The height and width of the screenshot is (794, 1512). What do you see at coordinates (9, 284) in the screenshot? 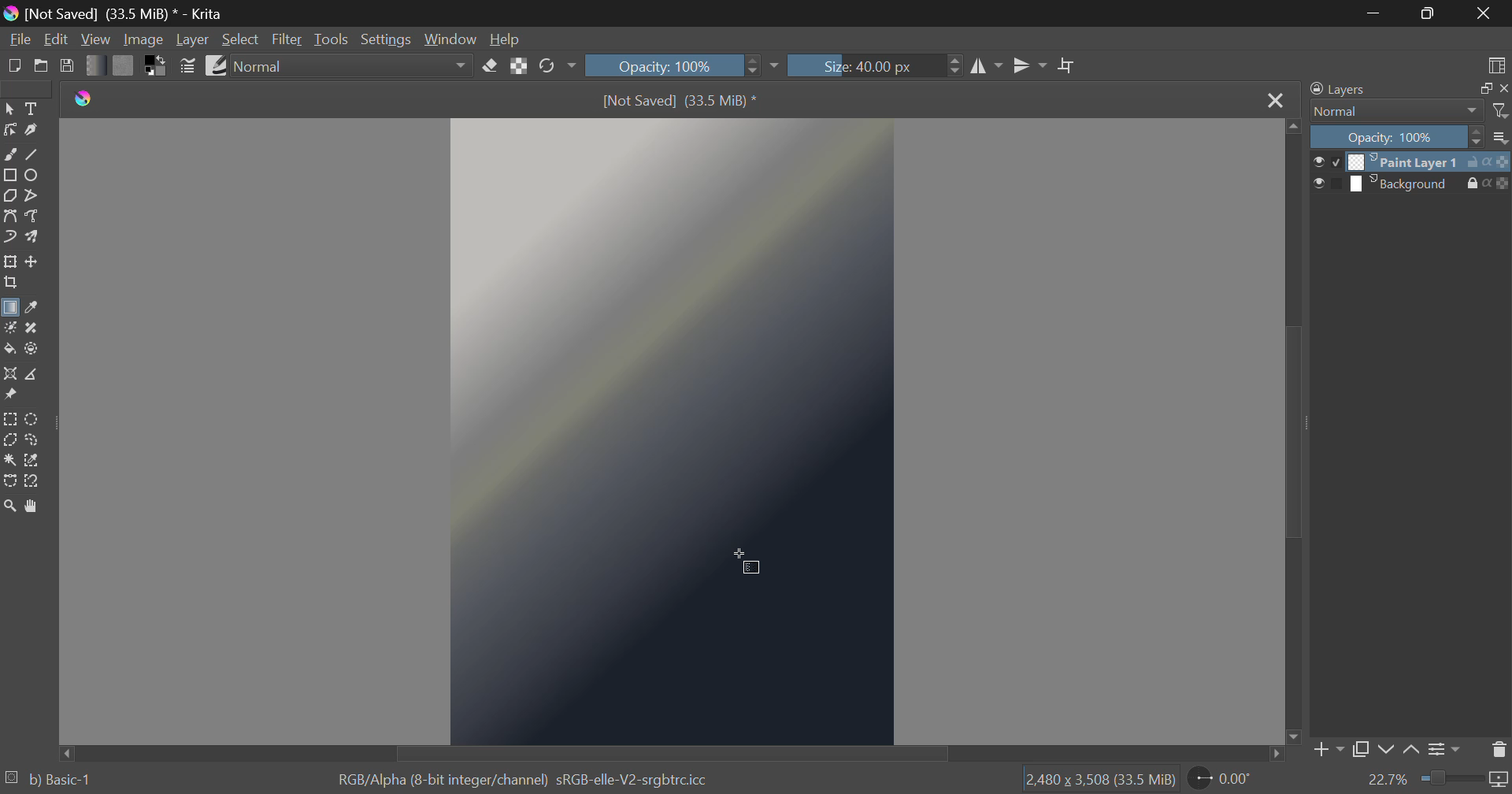
I see `Crop Layer` at bounding box center [9, 284].